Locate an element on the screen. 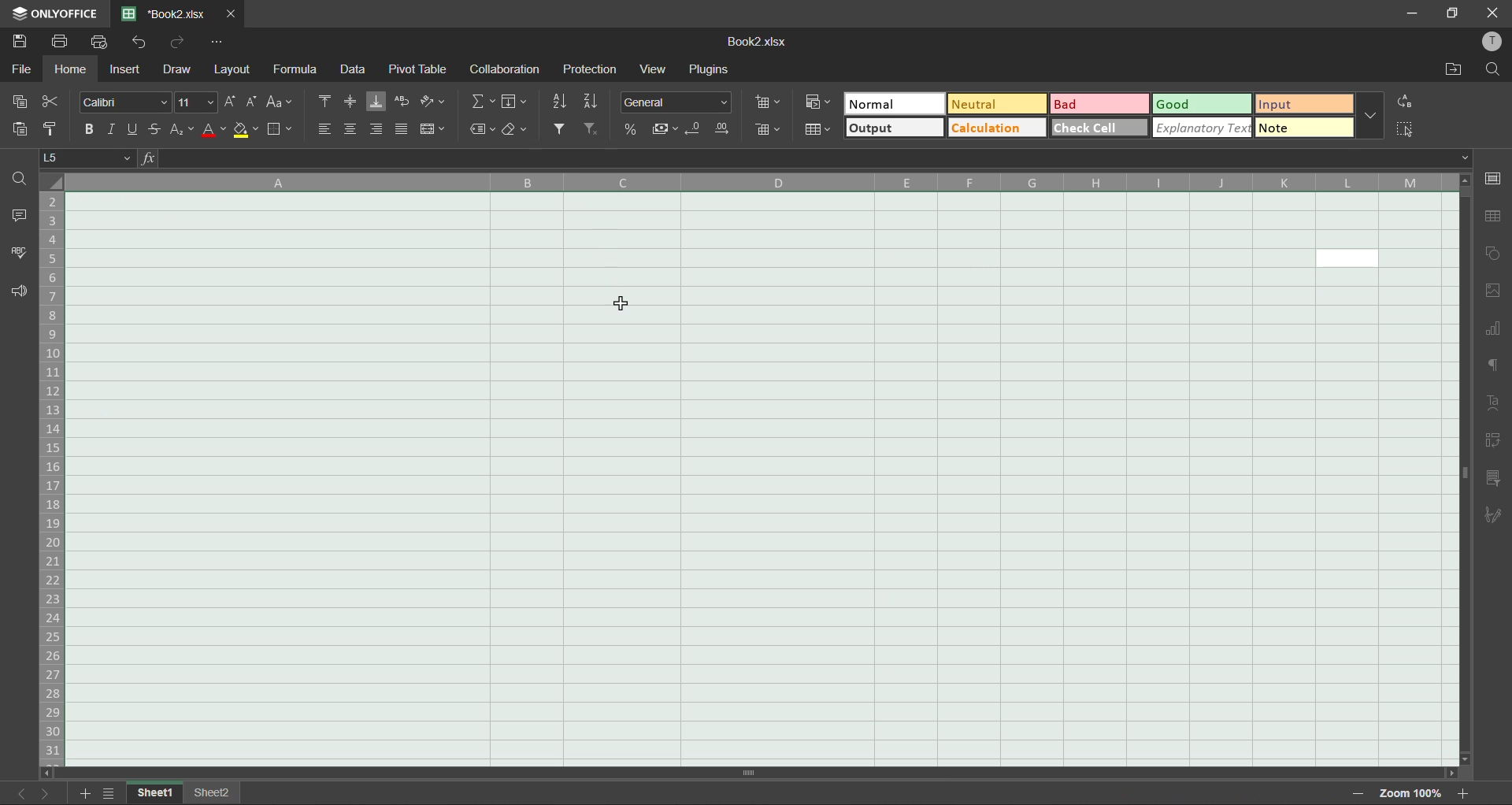  sheet 1 is located at coordinates (155, 793).